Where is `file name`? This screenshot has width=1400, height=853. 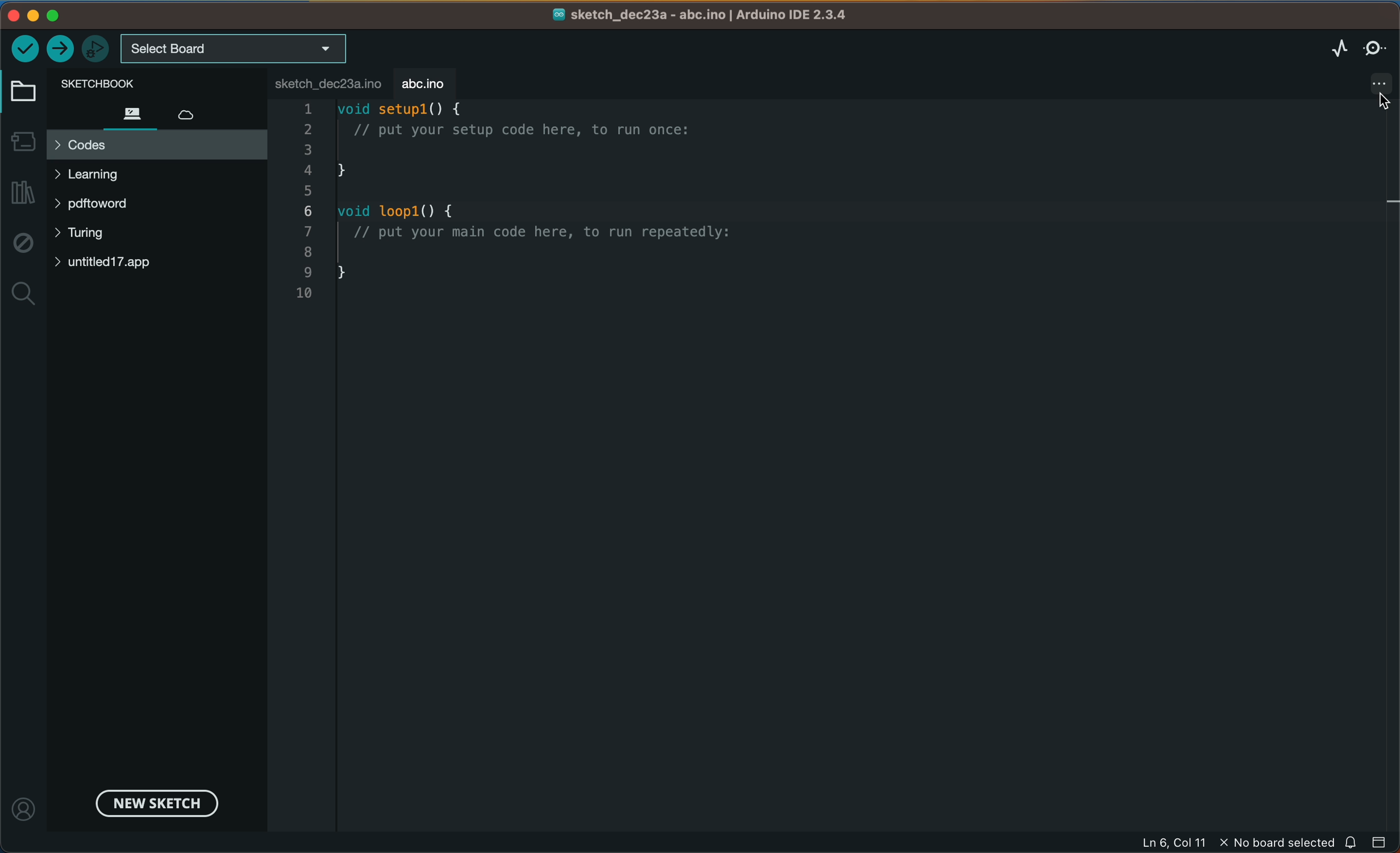 file name is located at coordinates (706, 15).